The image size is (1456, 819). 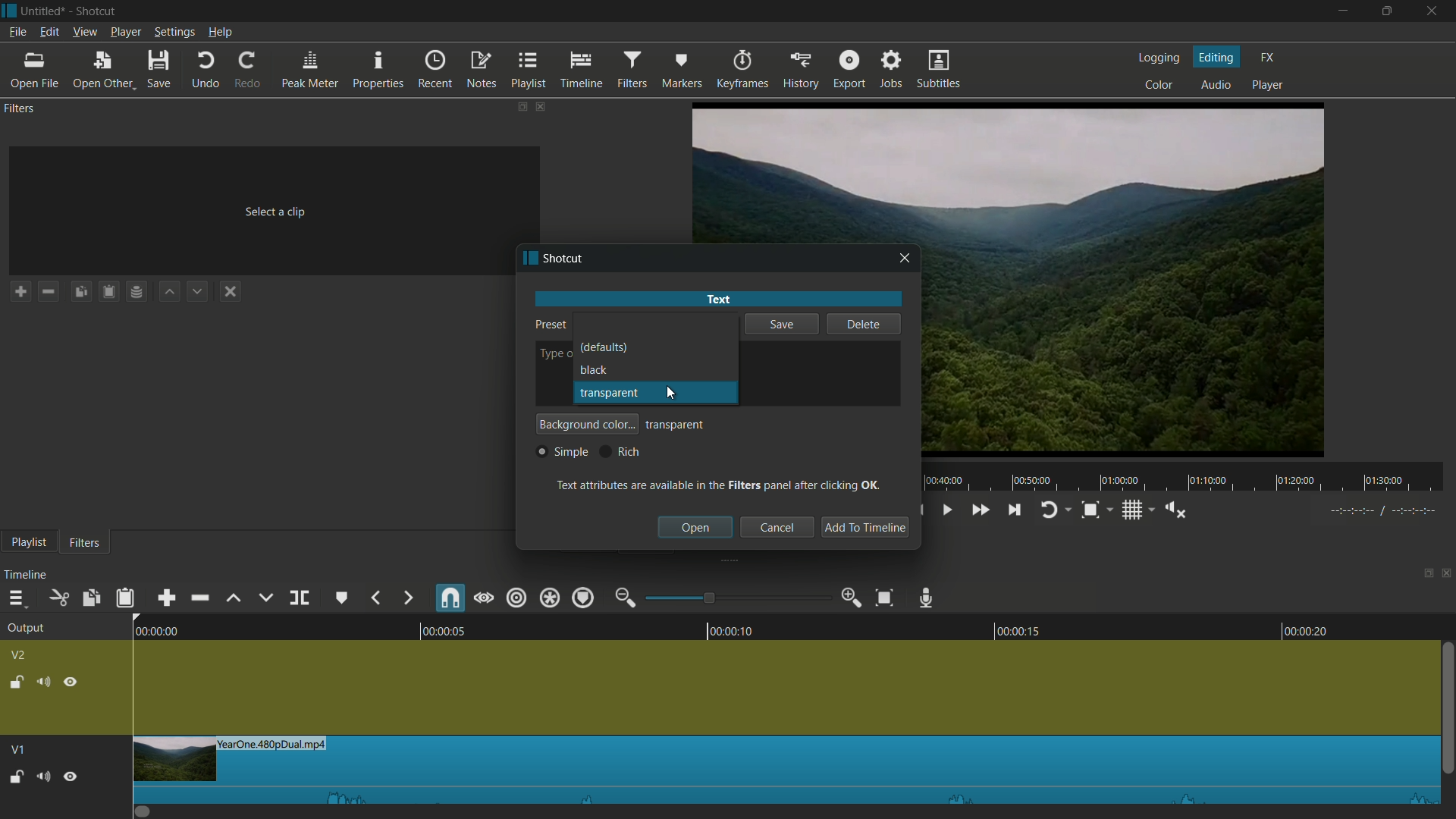 I want to click on skip to the next point, so click(x=1015, y=510).